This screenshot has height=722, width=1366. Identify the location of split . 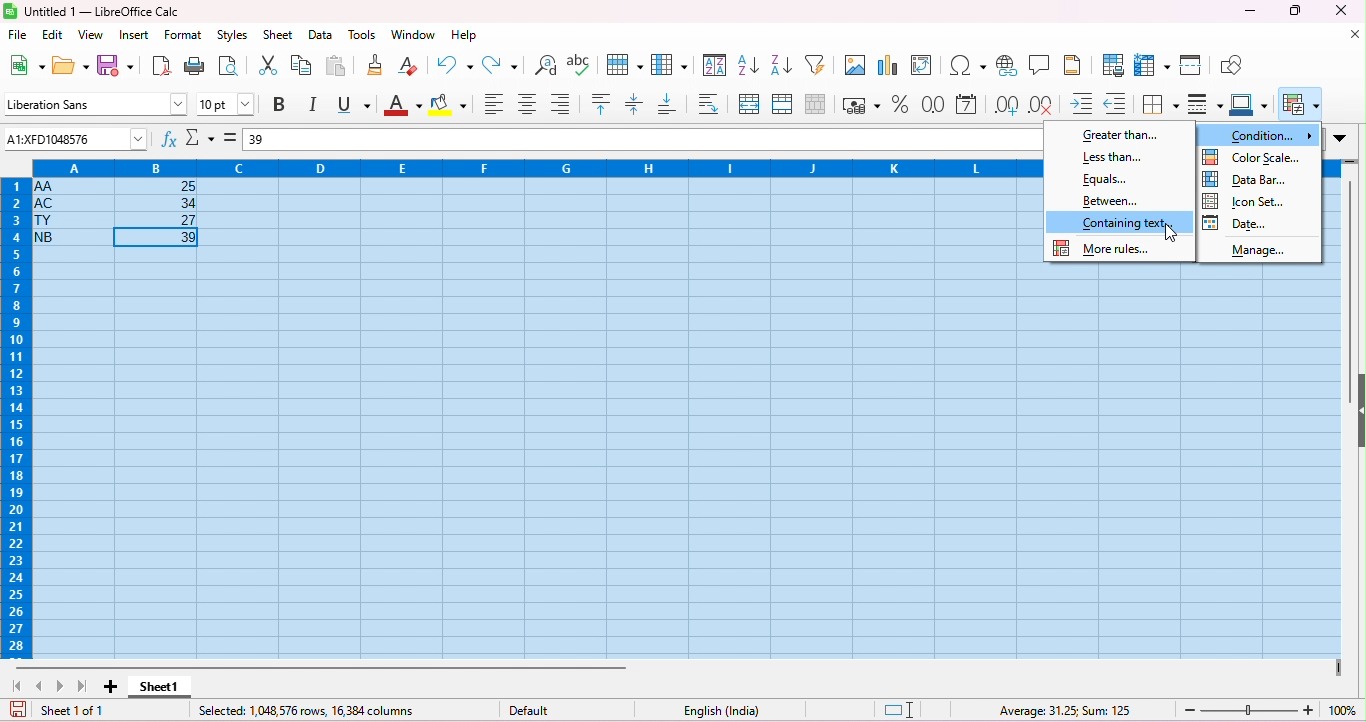
(1193, 64).